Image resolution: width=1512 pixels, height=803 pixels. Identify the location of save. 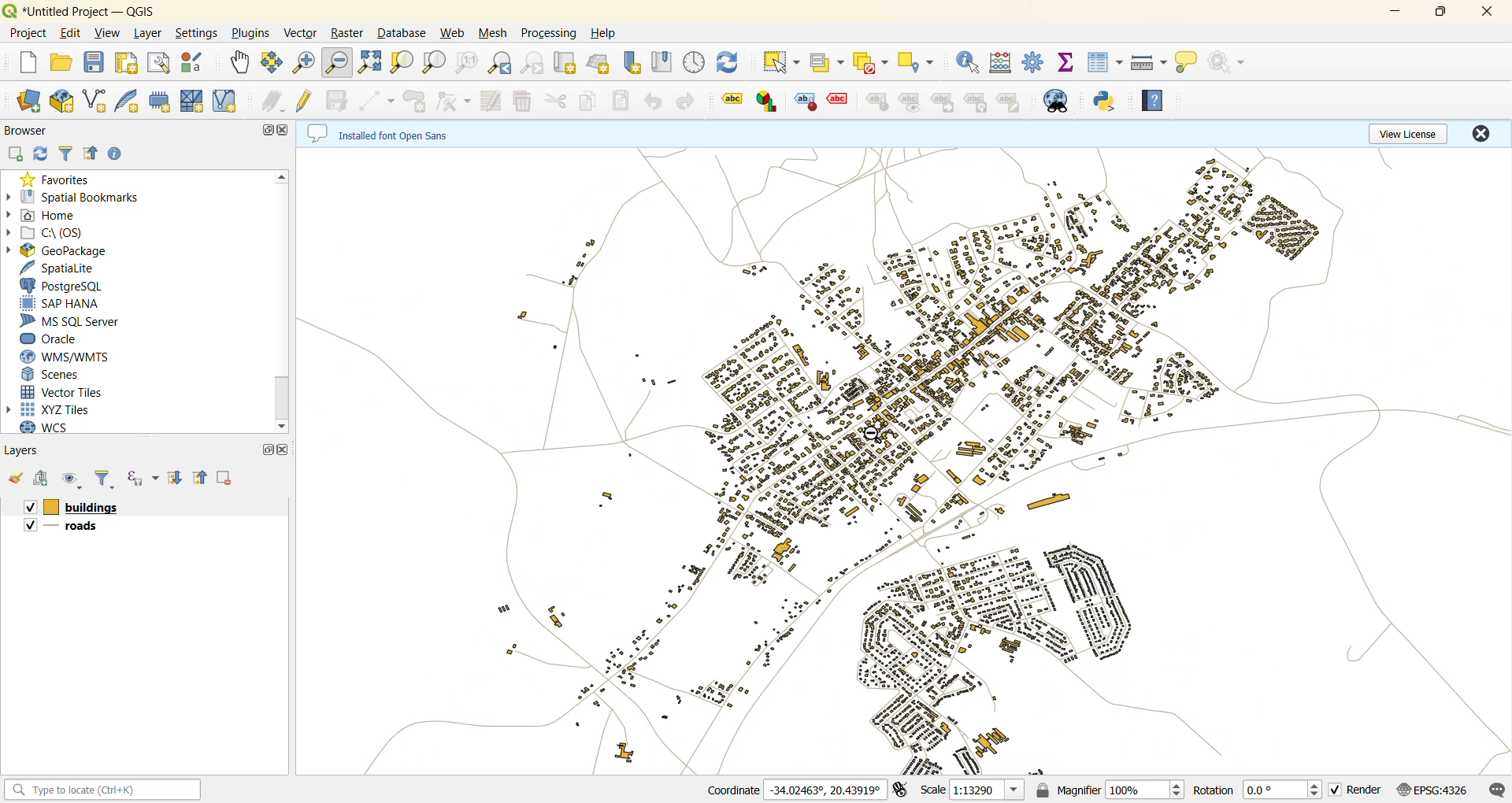
(98, 65).